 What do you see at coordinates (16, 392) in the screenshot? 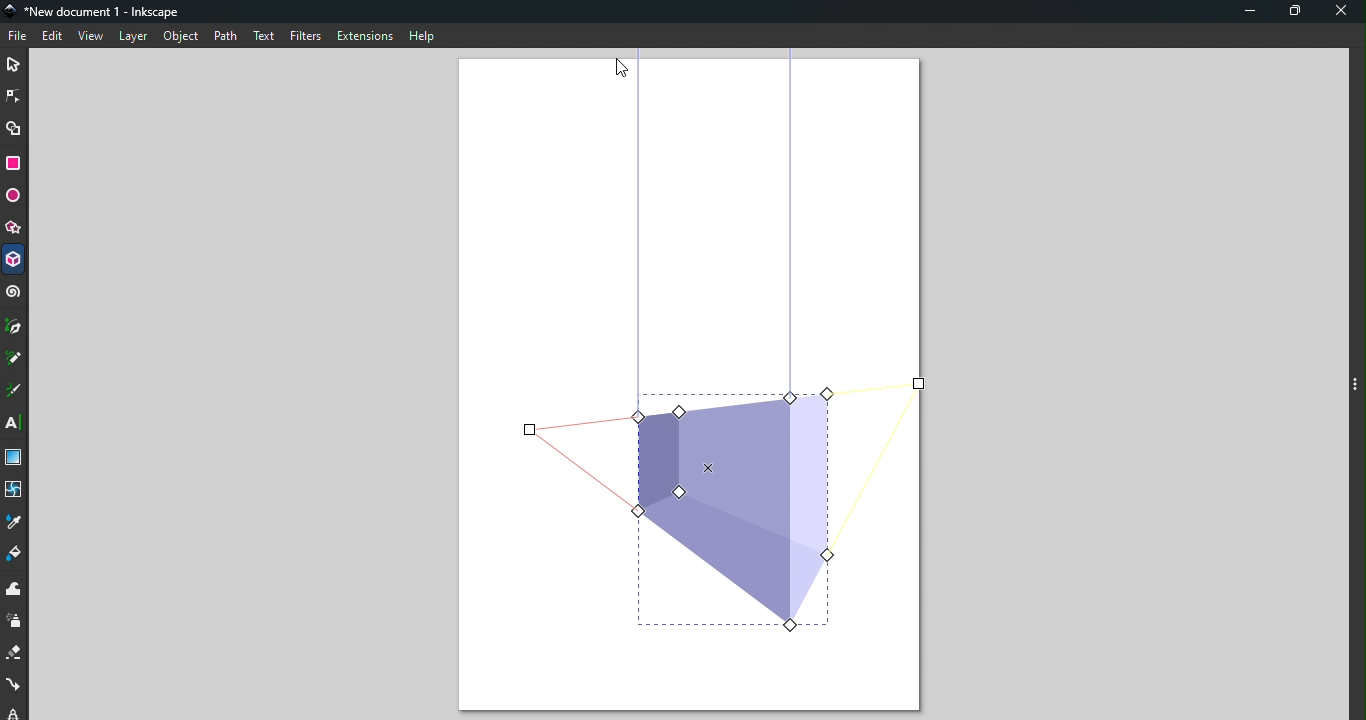
I see `Calligraphy tool` at bounding box center [16, 392].